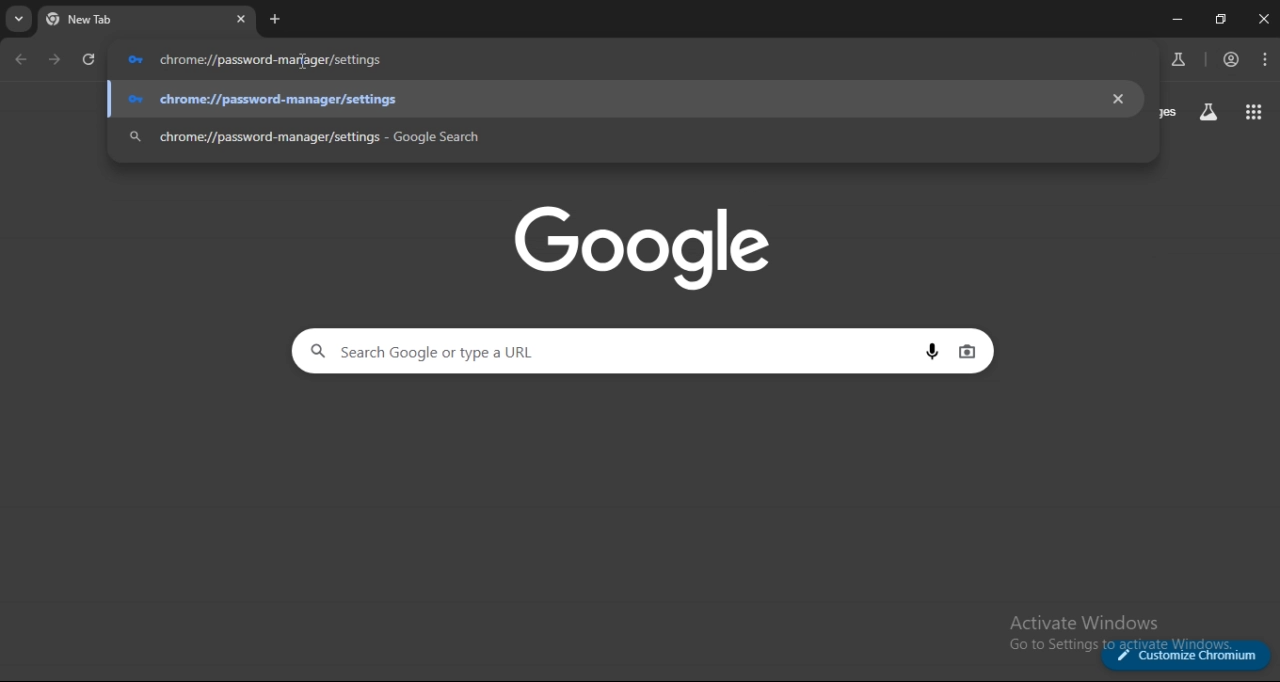 Image resolution: width=1280 pixels, height=682 pixels. Describe the element at coordinates (606, 136) in the screenshot. I see `chrome://password-manager/settings` at that location.